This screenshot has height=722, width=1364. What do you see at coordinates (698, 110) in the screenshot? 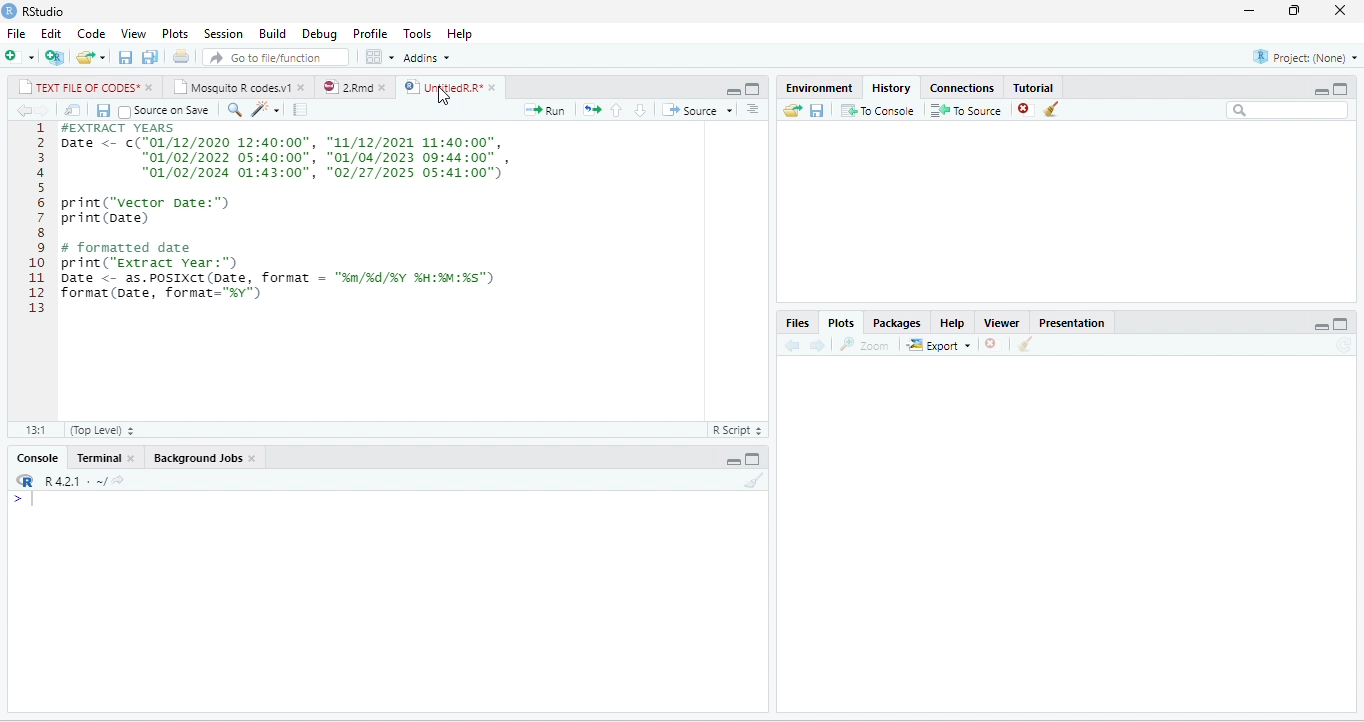
I see `Source` at bounding box center [698, 110].